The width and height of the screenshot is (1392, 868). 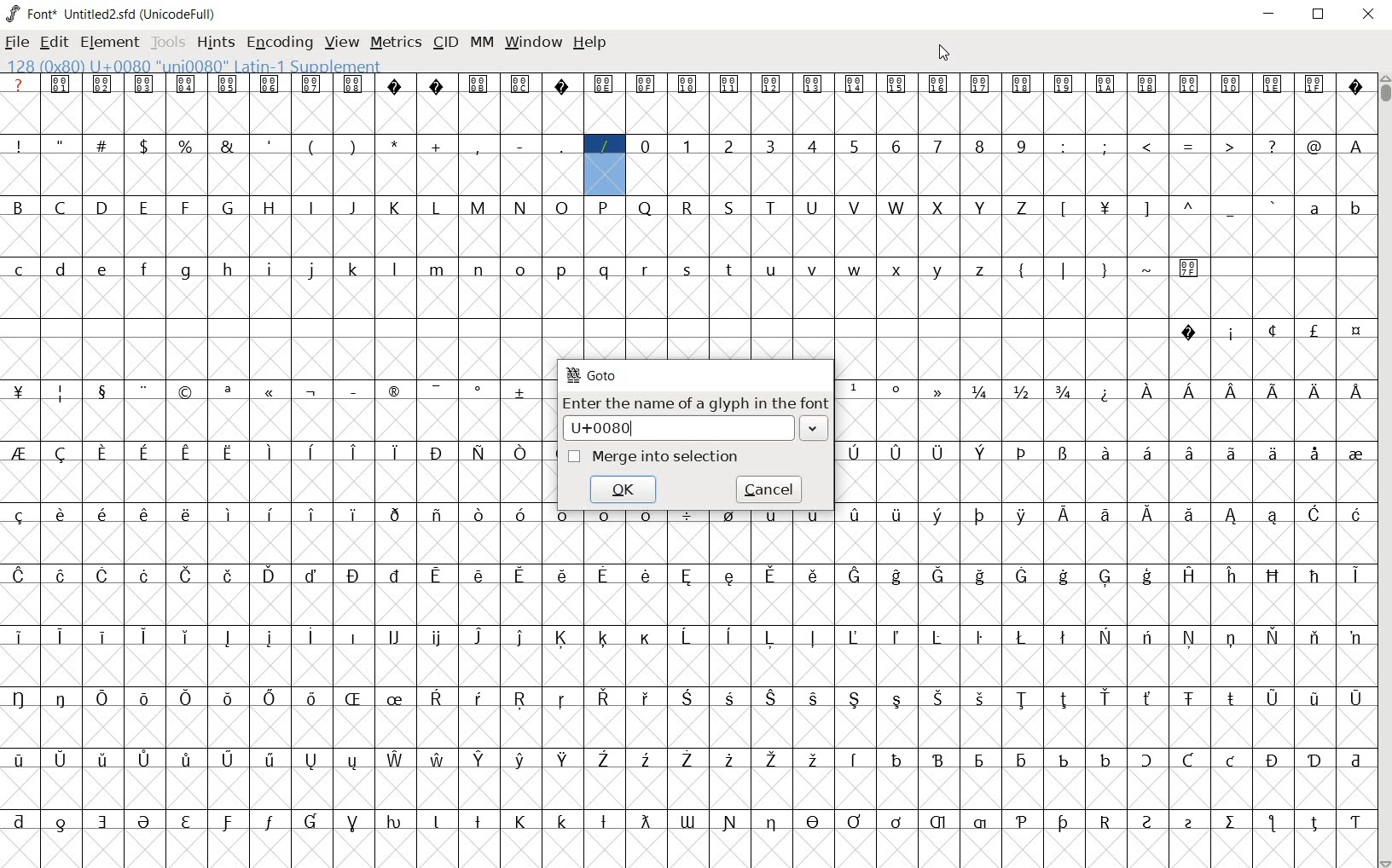 What do you see at coordinates (60, 636) in the screenshot?
I see `glyph` at bounding box center [60, 636].